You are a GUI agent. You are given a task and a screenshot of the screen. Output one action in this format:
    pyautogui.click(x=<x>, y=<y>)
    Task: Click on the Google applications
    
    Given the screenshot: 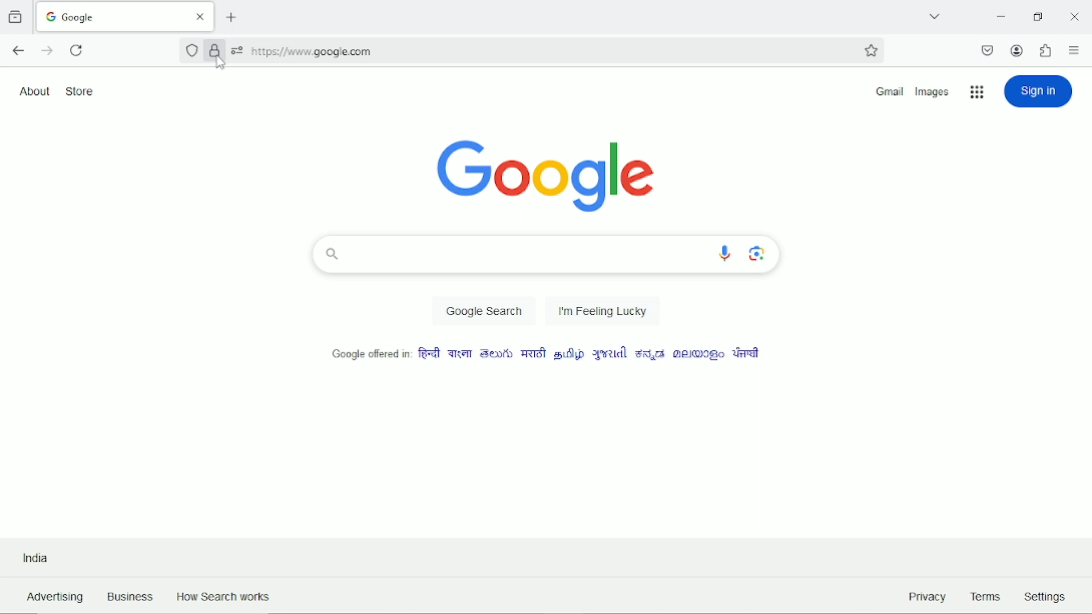 What is the action you would take?
    pyautogui.click(x=977, y=92)
    